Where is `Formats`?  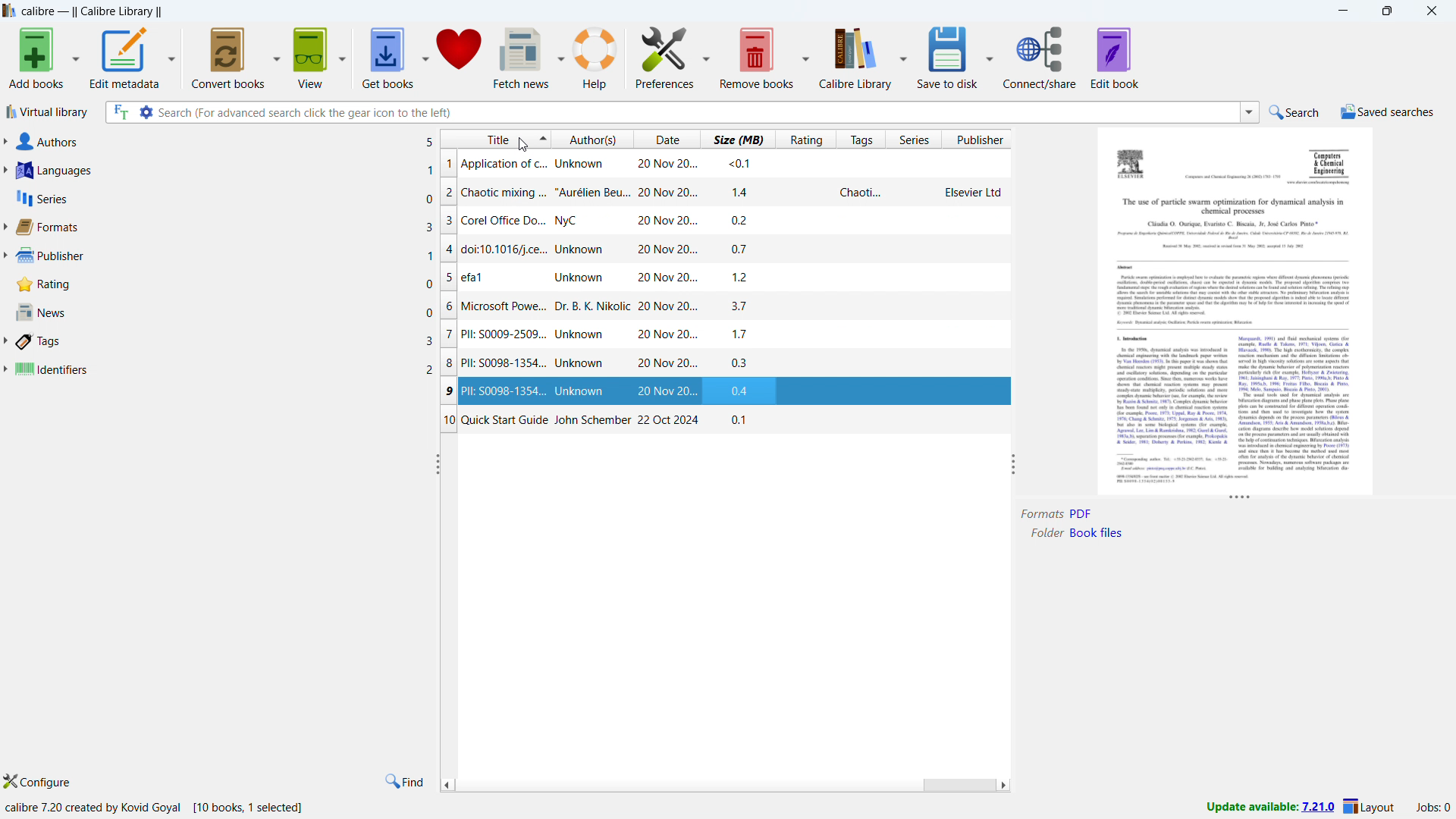 Formats is located at coordinates (1043, 515).